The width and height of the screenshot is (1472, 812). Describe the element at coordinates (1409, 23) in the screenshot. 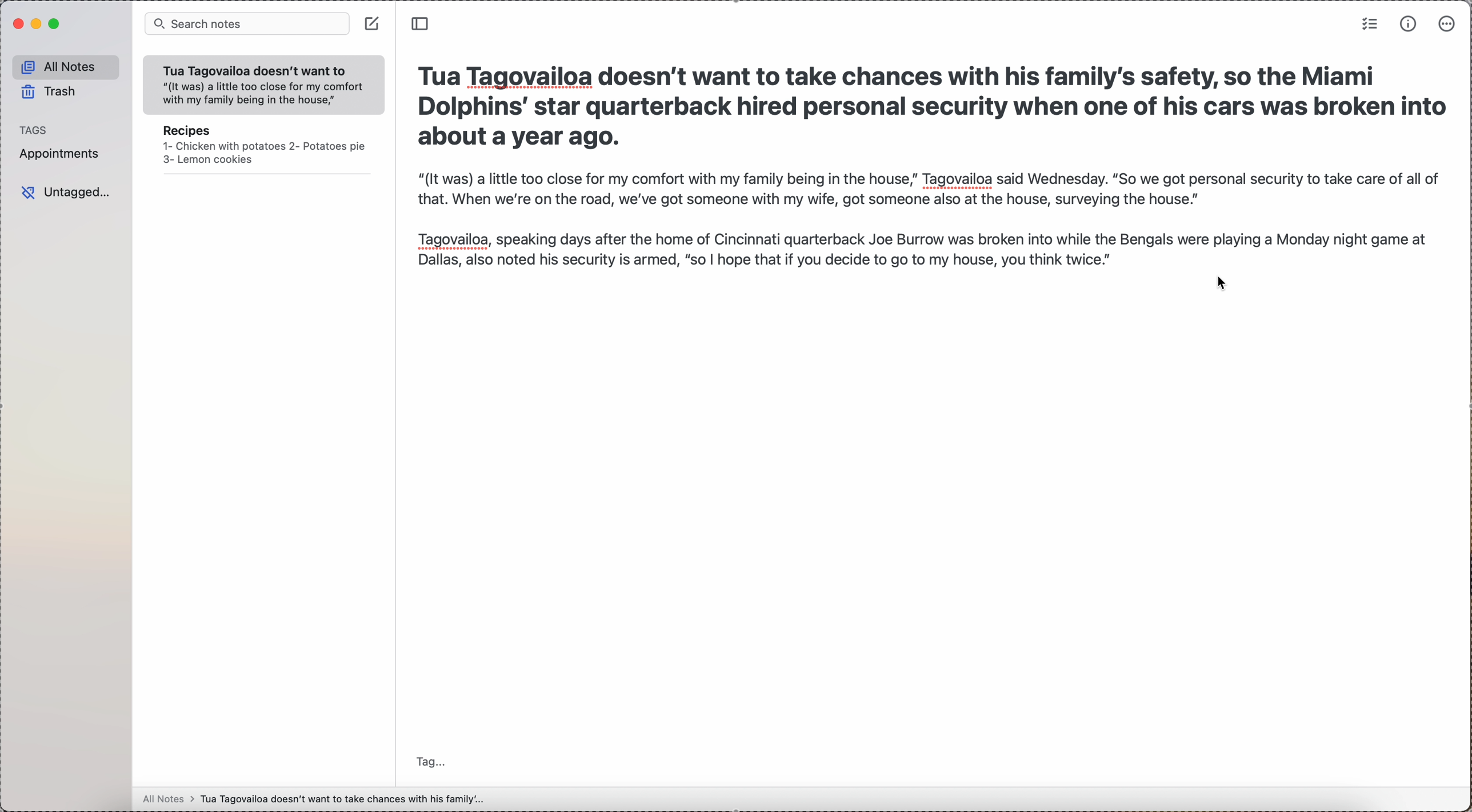

I see `metrics` at that location.